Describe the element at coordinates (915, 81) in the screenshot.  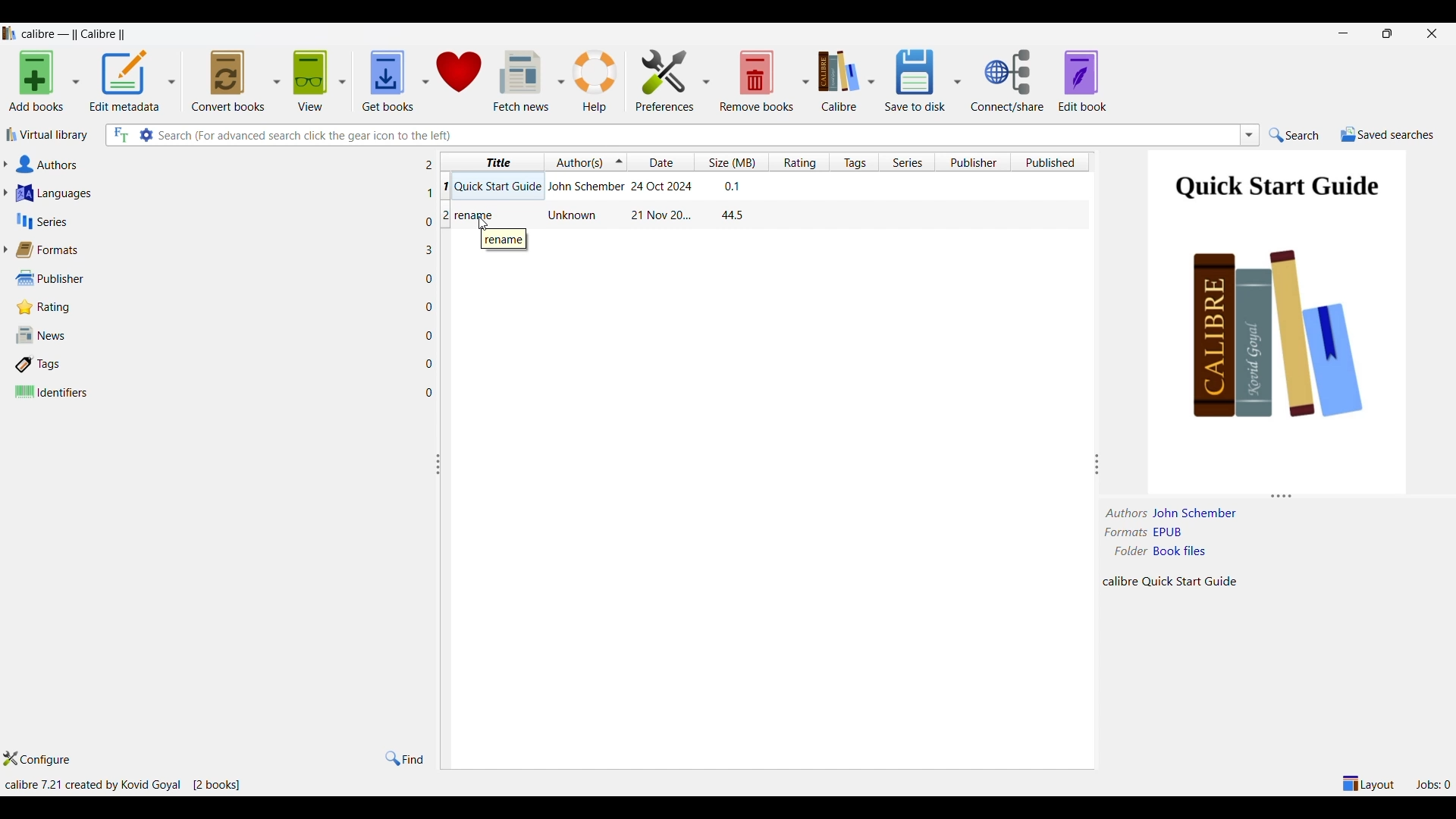
I see `Save to disk` at that location.